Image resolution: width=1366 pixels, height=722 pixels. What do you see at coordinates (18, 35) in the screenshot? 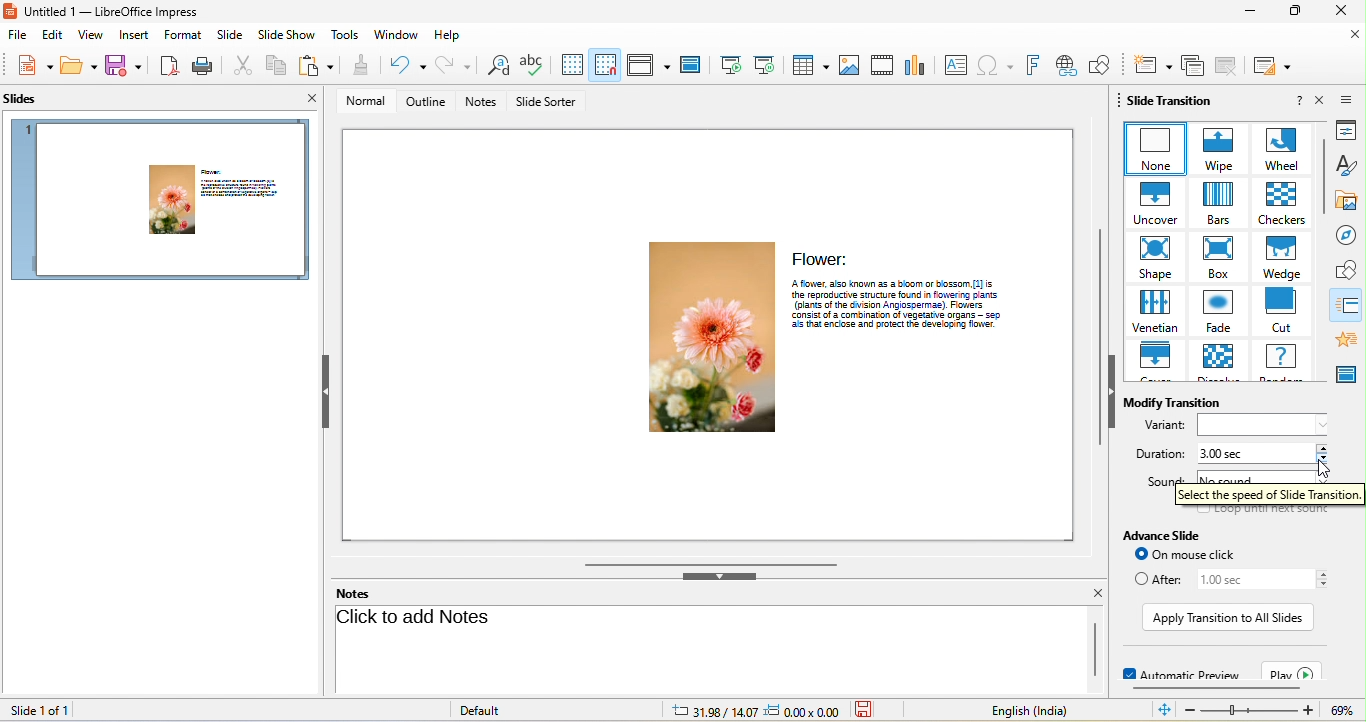
I see `file` at bounding box center [18, 35].